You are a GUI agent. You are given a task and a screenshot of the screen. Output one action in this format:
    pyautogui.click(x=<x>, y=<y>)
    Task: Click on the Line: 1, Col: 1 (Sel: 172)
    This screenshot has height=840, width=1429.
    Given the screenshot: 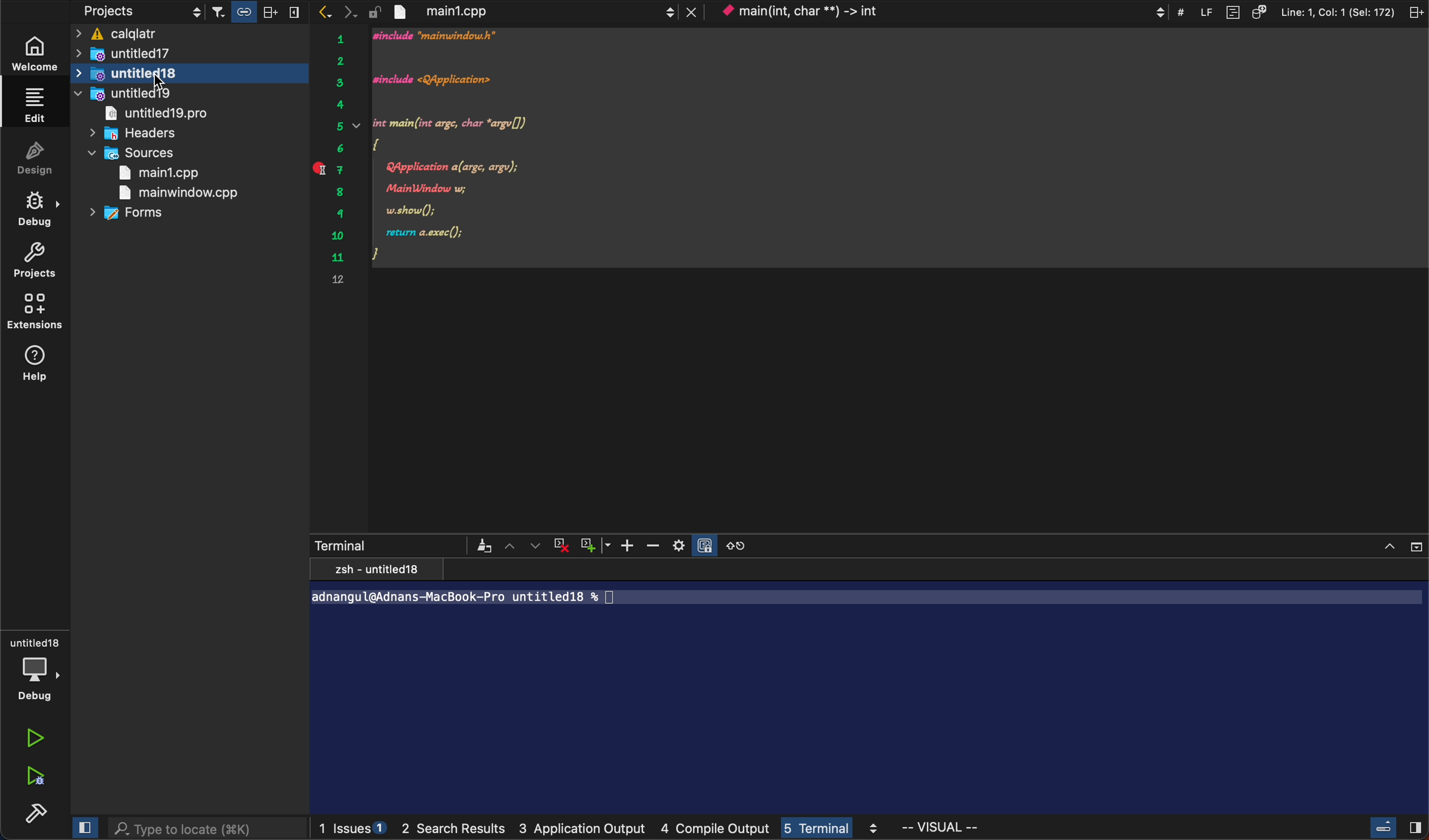 What is the action you would take?
    pyautogui.click(x=1338, y=11)
    